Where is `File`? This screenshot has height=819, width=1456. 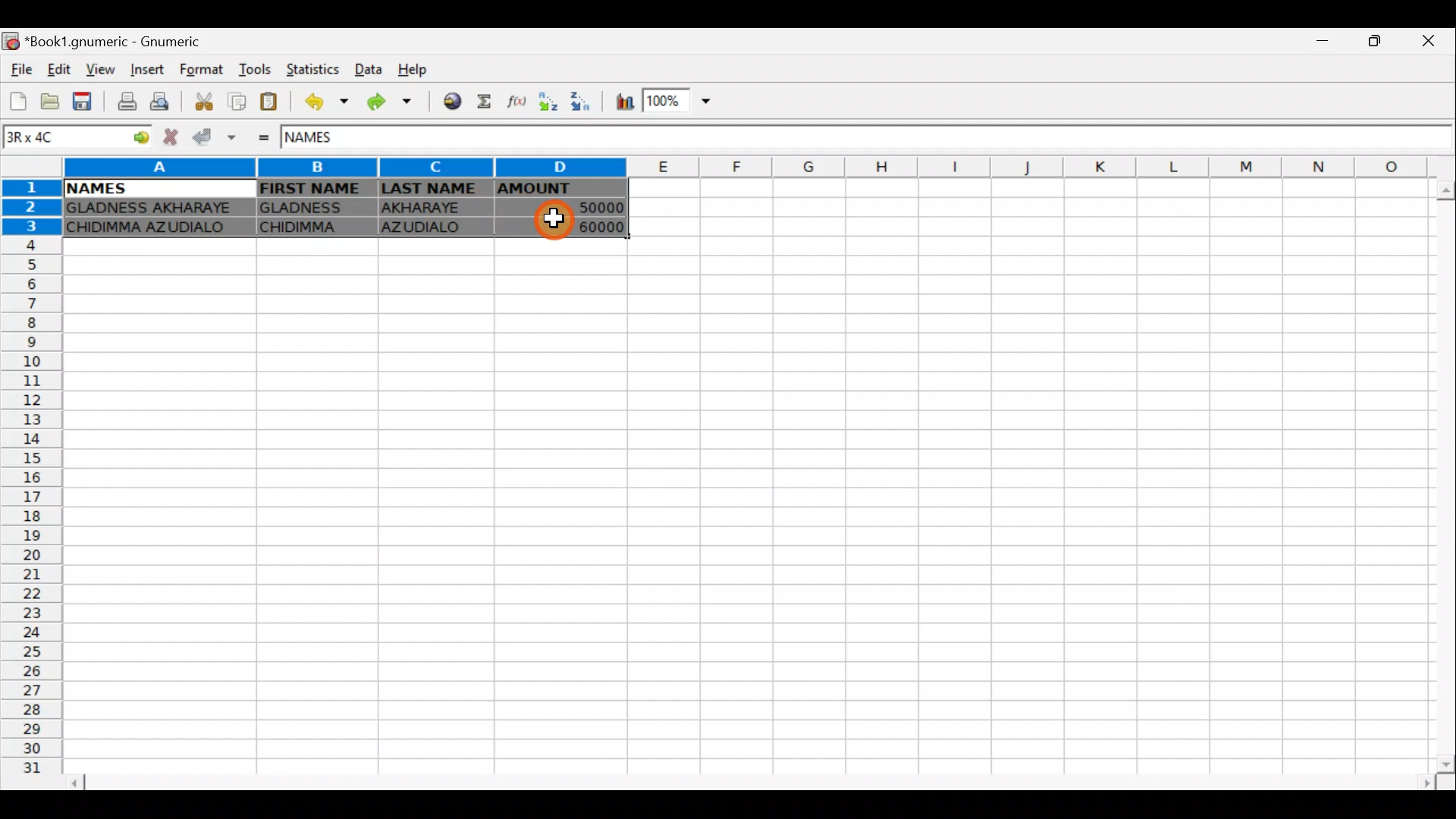
File is located at coordinates (21, 71).